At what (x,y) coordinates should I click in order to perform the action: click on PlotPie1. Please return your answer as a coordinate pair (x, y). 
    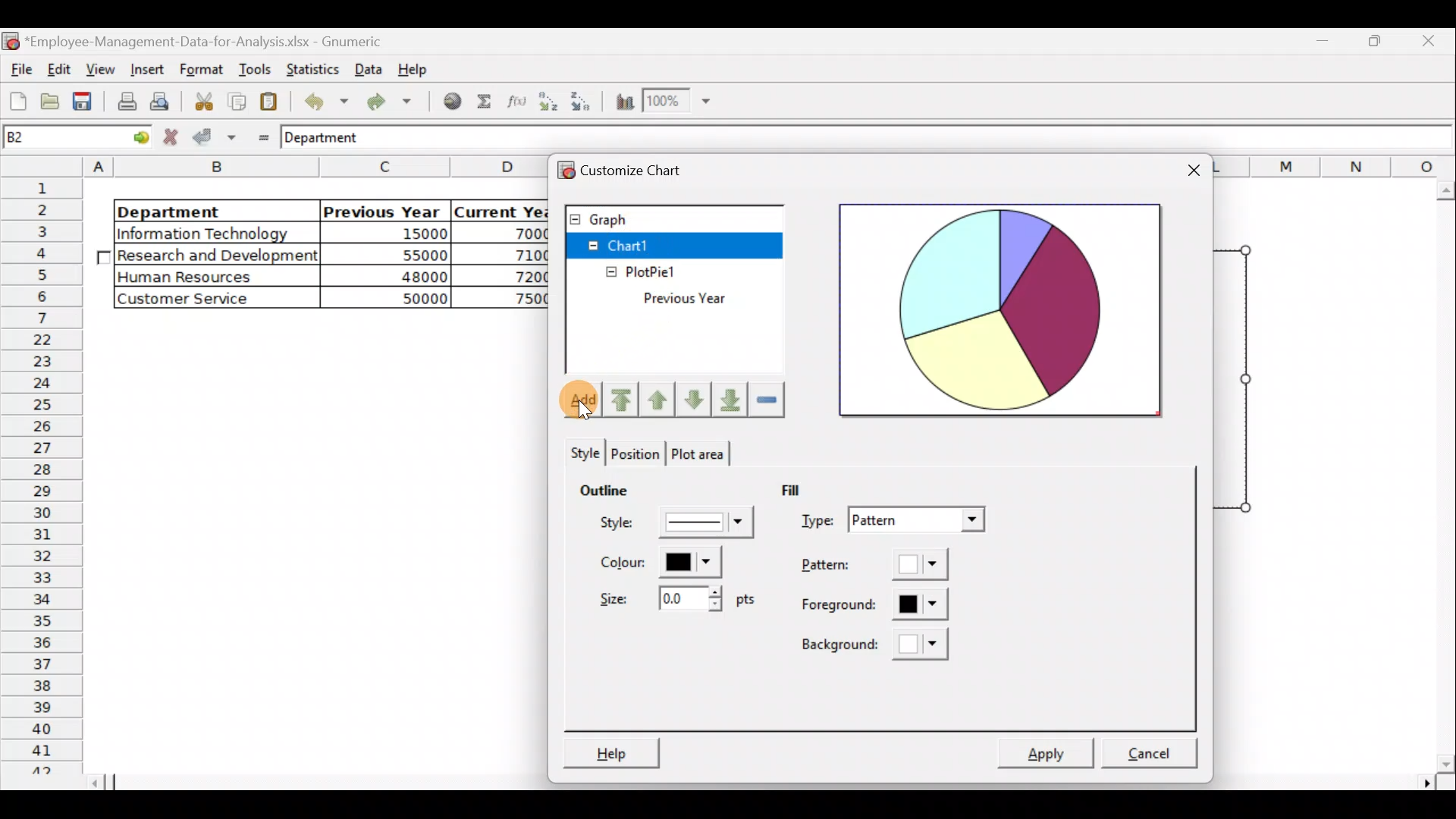
    Looking at the image, I should click on (620, 268).